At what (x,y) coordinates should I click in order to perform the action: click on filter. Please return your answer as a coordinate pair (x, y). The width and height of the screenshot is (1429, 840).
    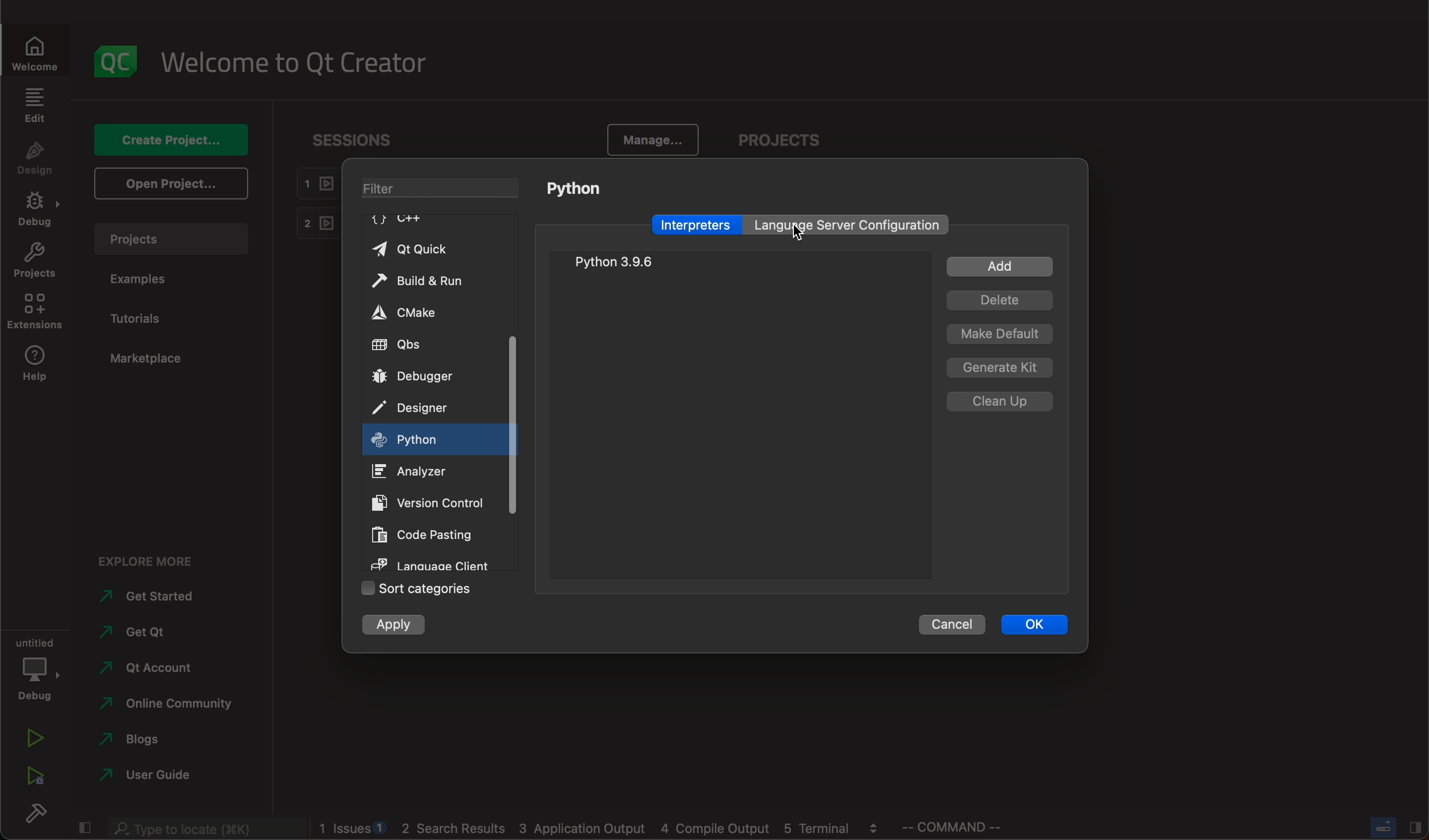
    Looking at the image, I should click on (443, 188).